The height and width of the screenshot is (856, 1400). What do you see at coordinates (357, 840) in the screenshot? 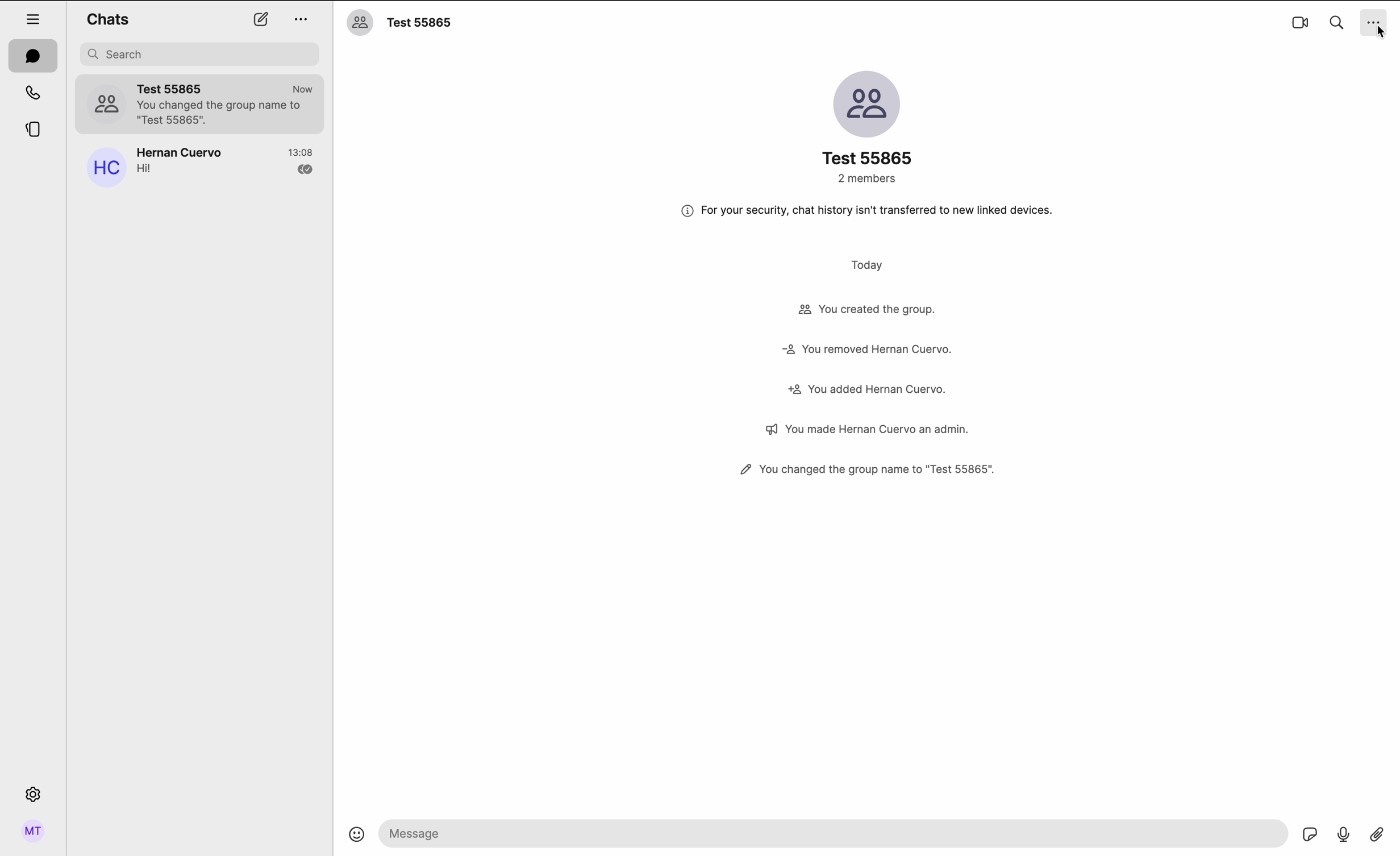
I see `emojis` at bounding box center [357, 840].